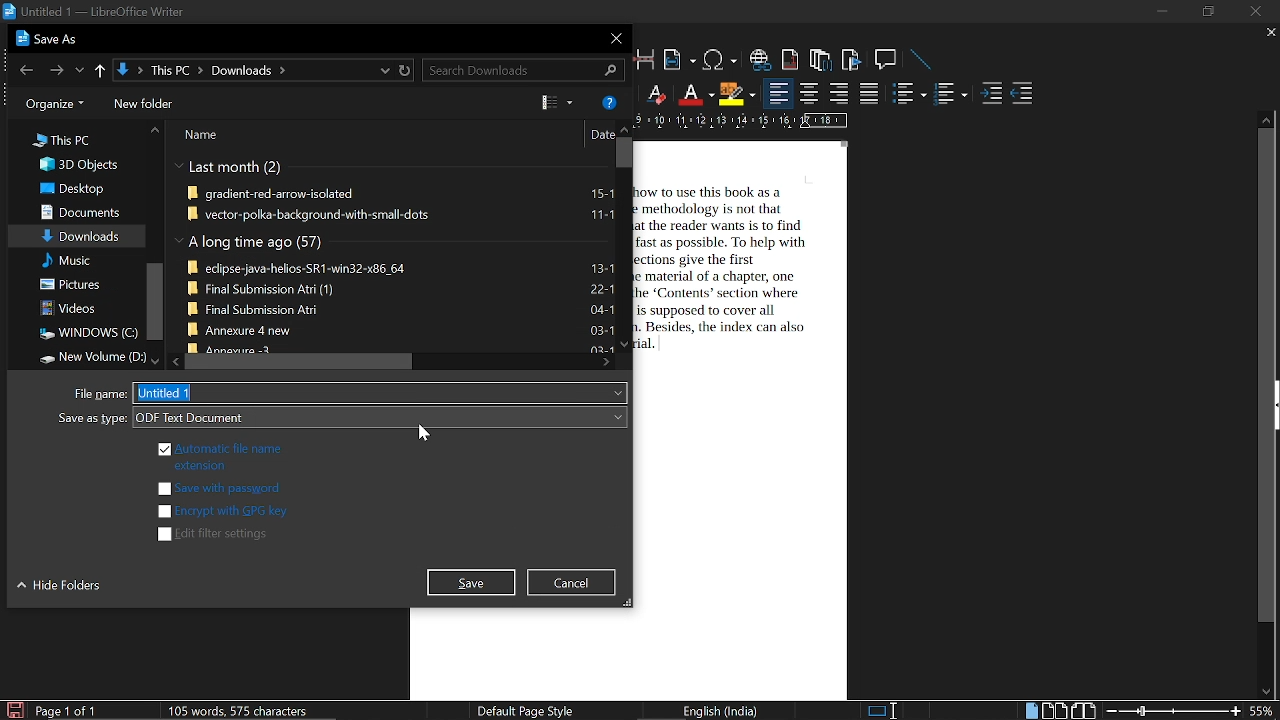  Describe the element at coordinates (622, 152) in the screenshot. I see `vertical scrollbar` at that location.